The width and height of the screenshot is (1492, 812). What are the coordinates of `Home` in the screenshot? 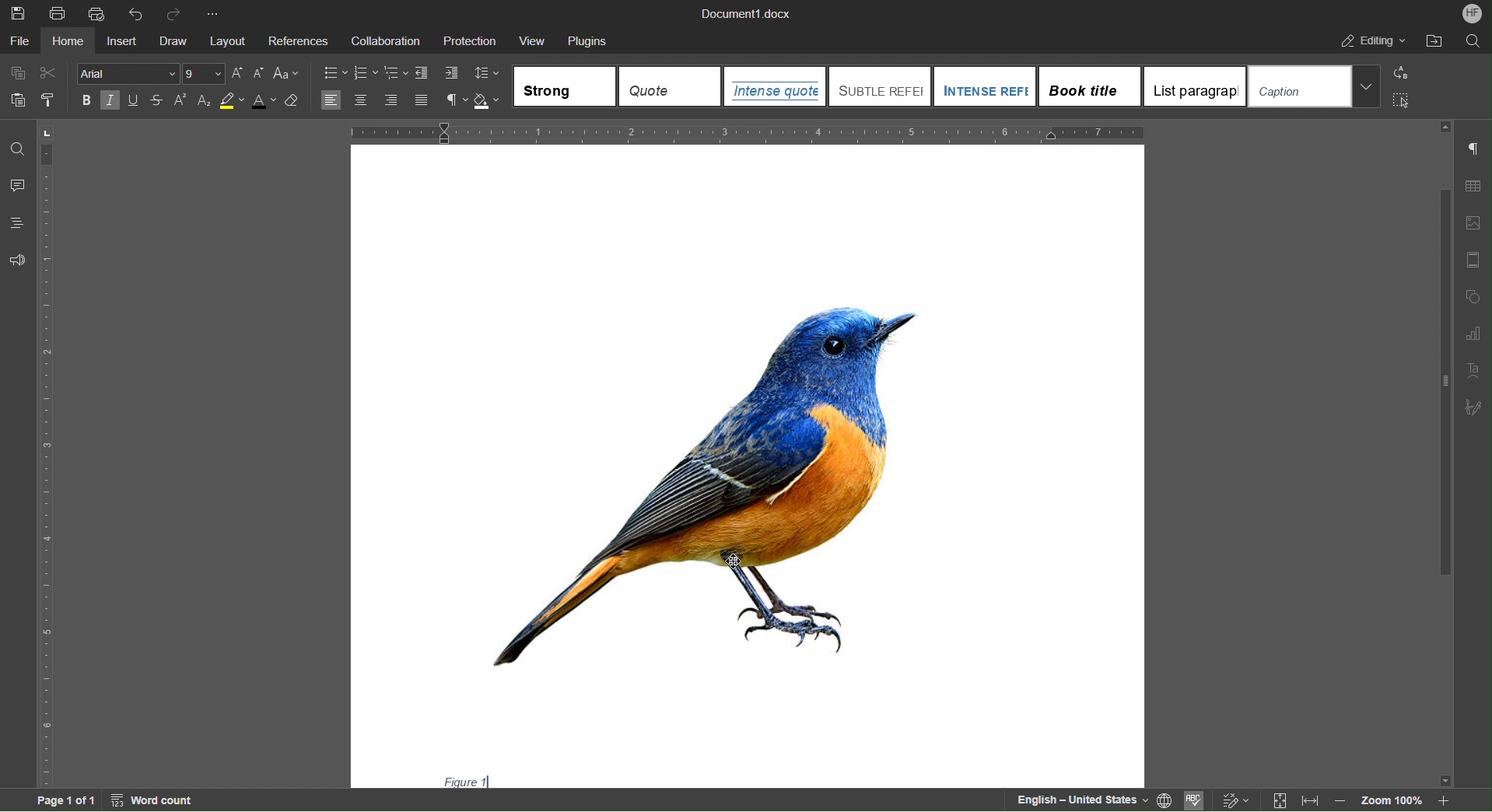 It's located at (68, 43).